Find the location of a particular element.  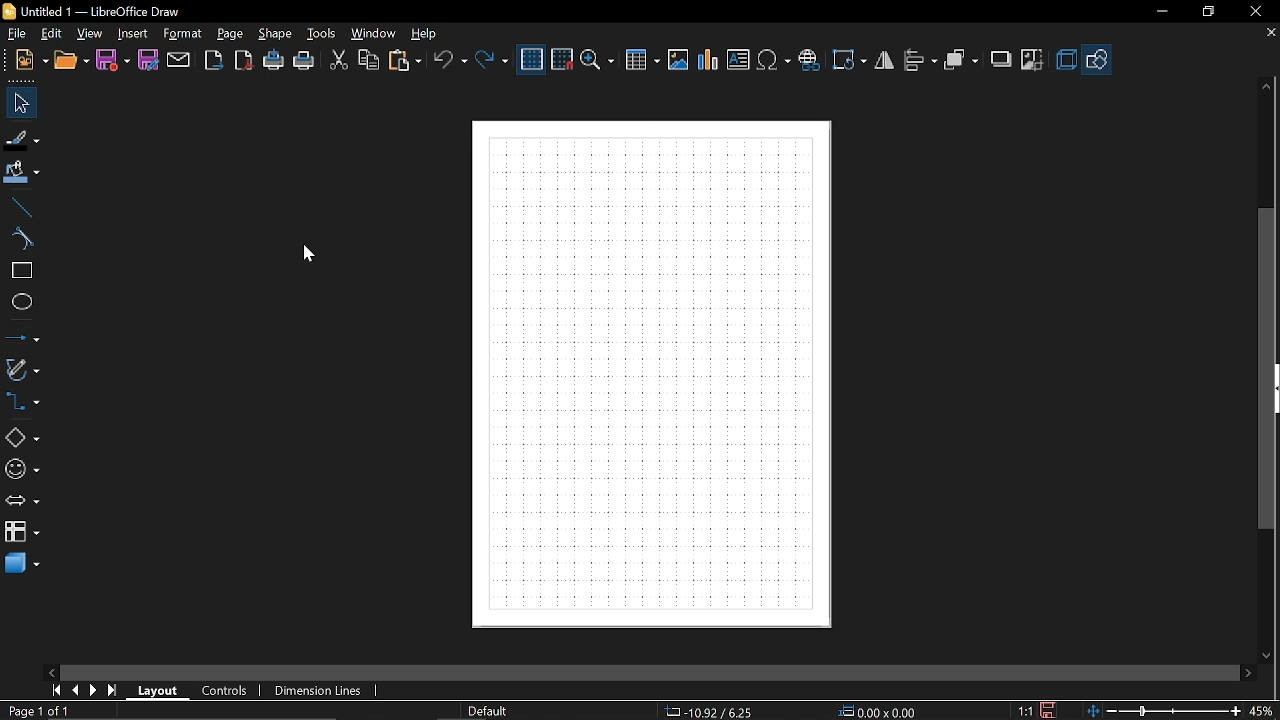

lines and arrows is located at coordinates (23, 338).